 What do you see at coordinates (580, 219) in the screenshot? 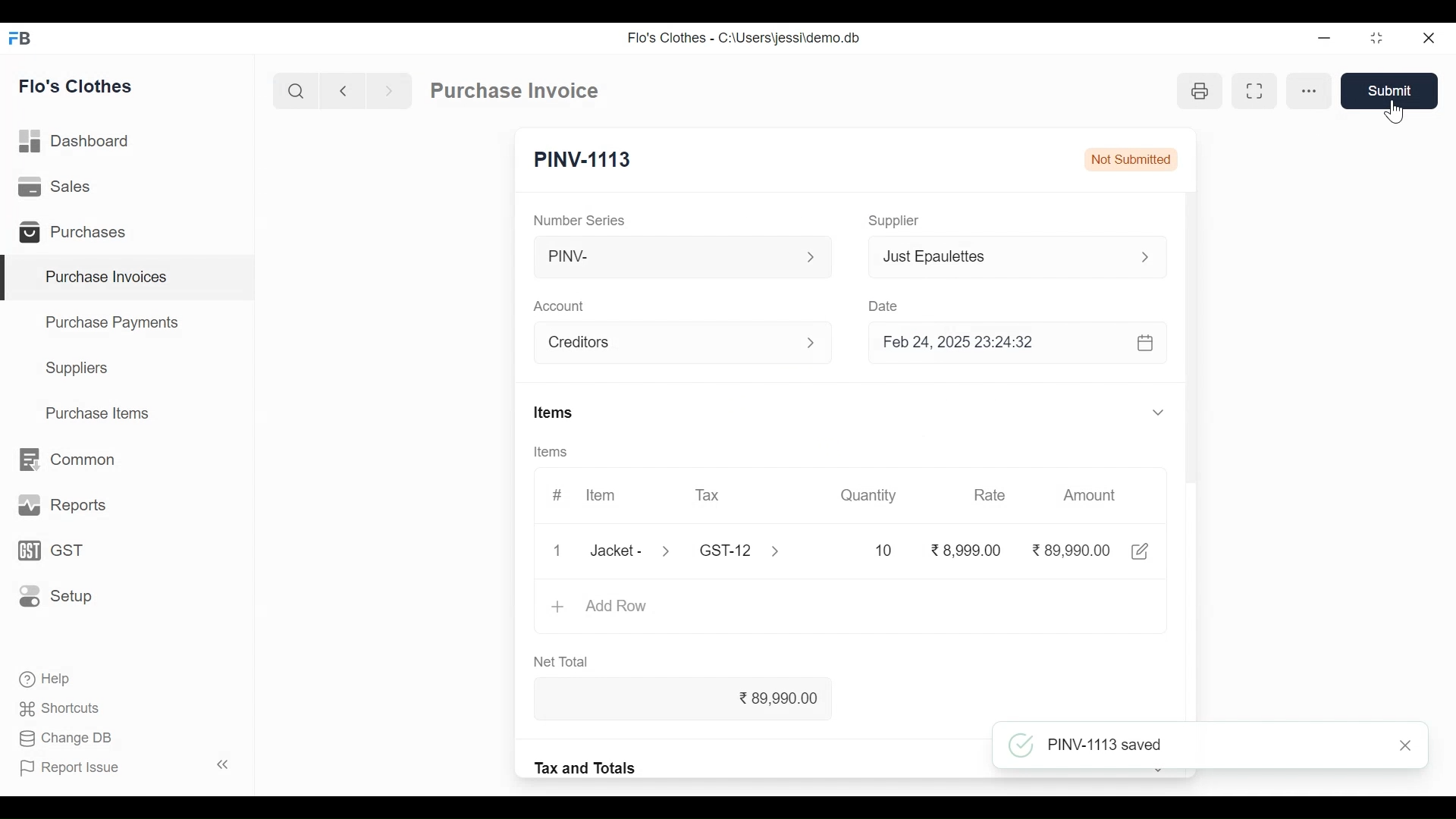
I see `Number Series` at bounding box center [580, 219].